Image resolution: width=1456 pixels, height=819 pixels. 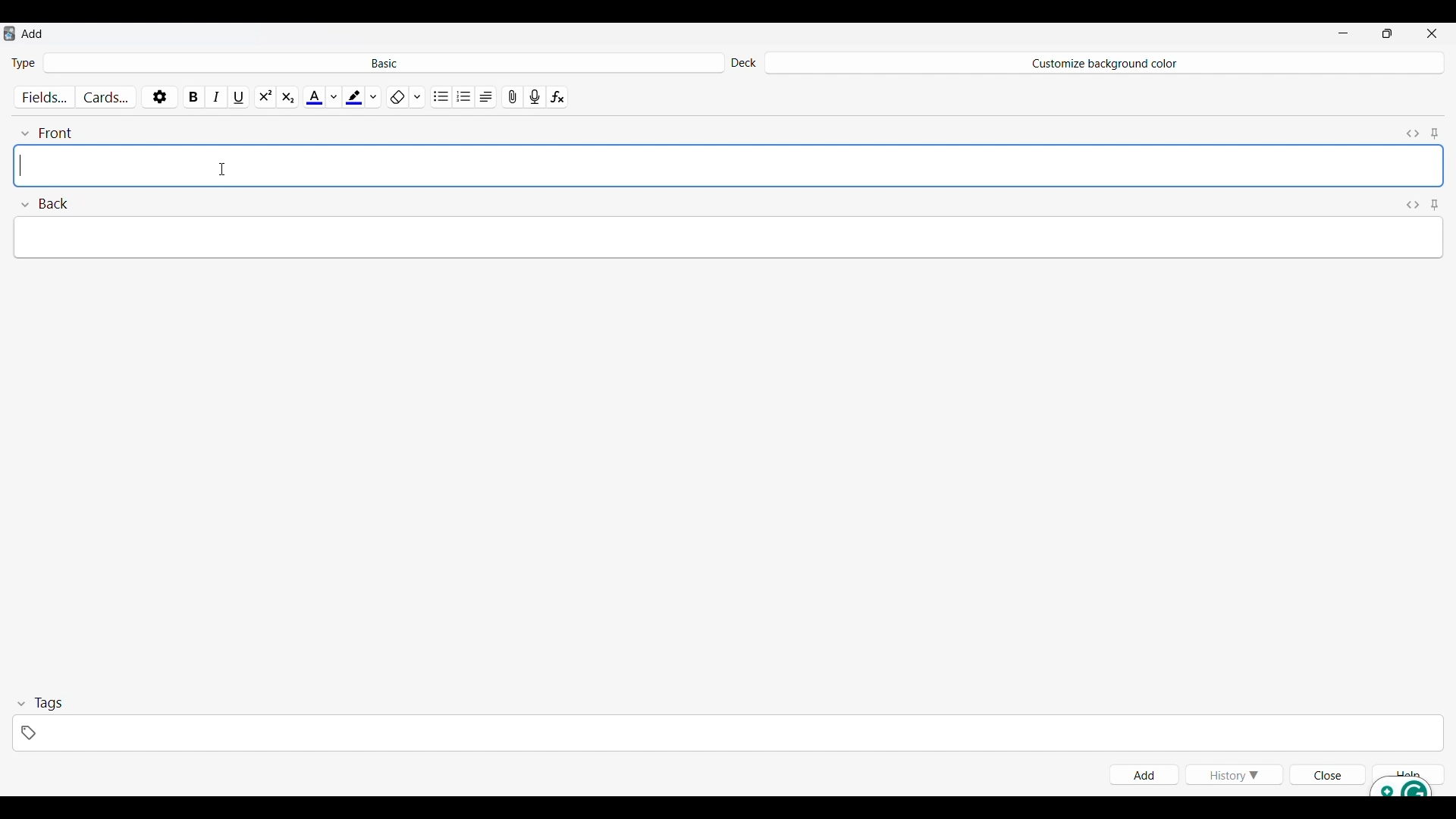 What do you see at coordinates (464, 95) in the screenshot?
I see `Ordered list` at bounding box center [464, 95].